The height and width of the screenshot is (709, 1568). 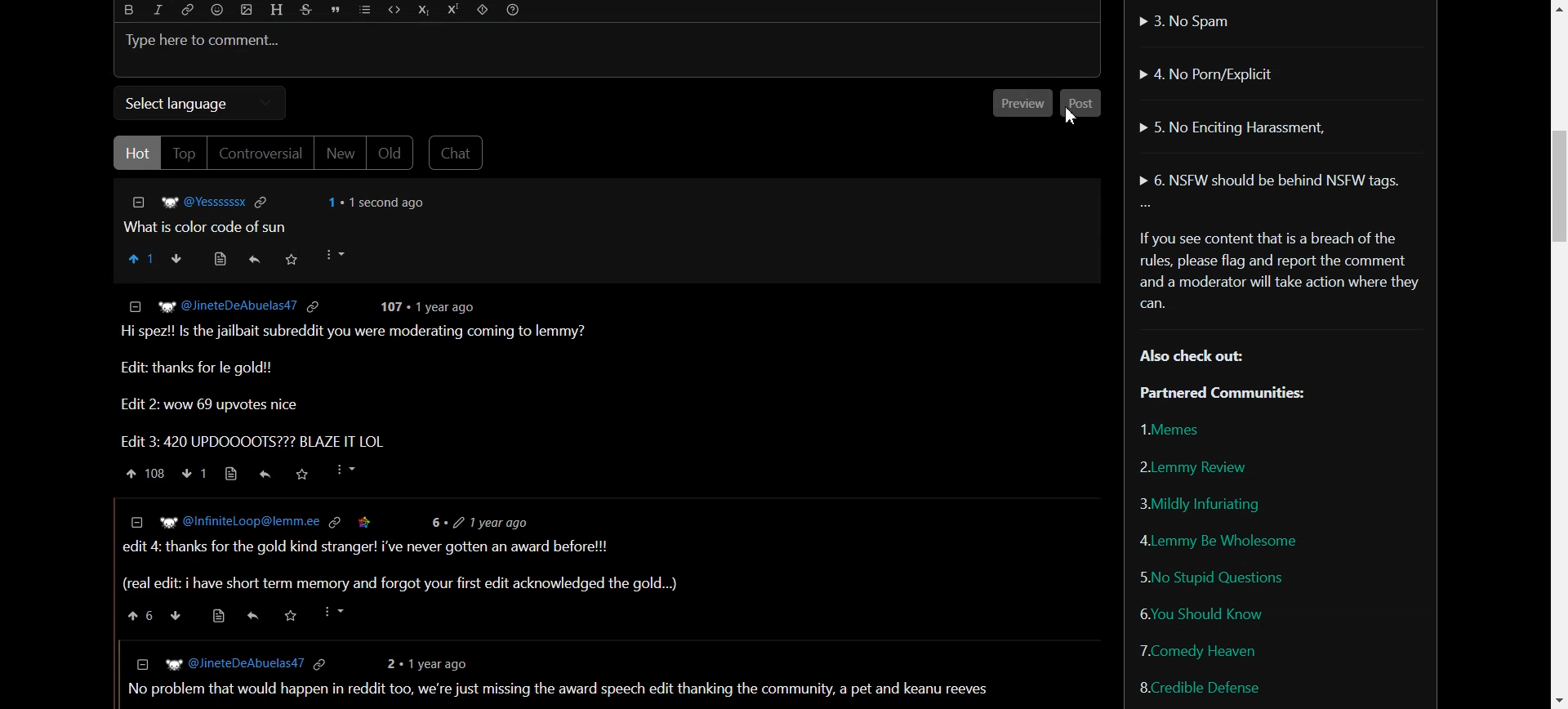 I want to click on Text, so click(x=204, y=228).